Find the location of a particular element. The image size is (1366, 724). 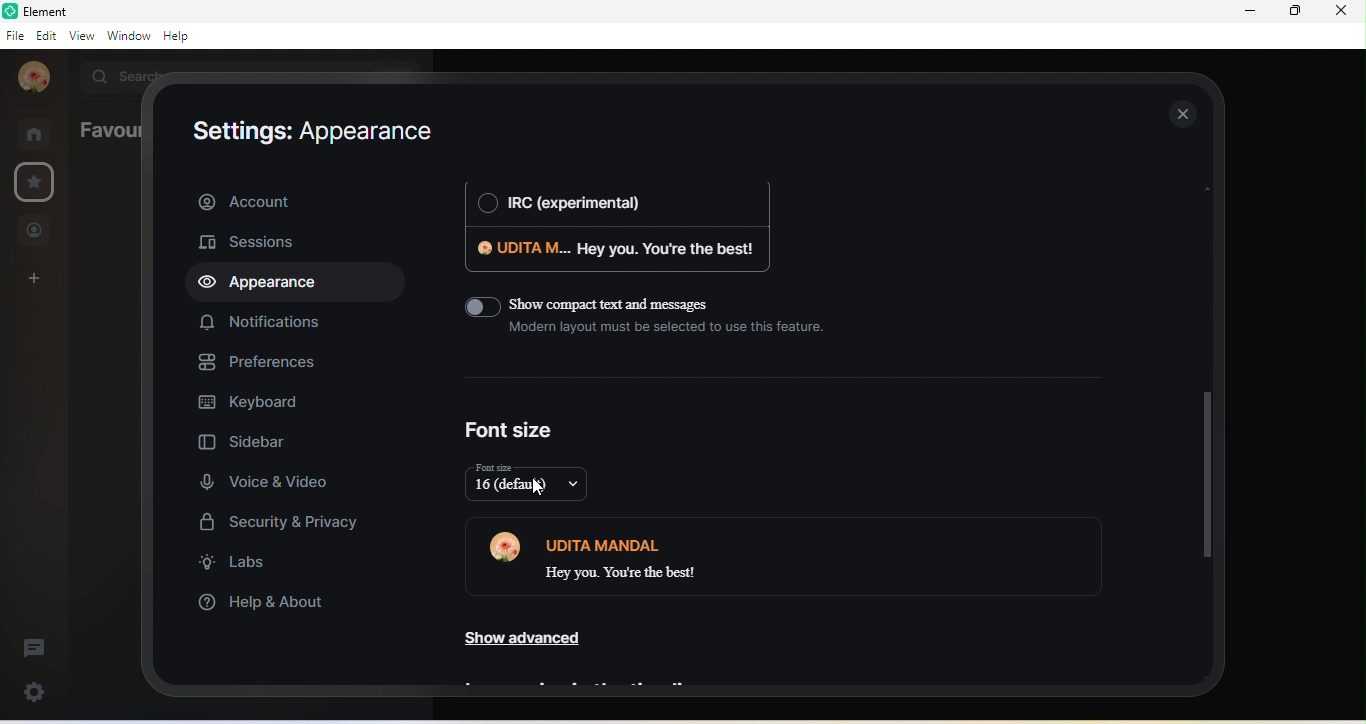

profile photo is located at coordinates (508, 551).